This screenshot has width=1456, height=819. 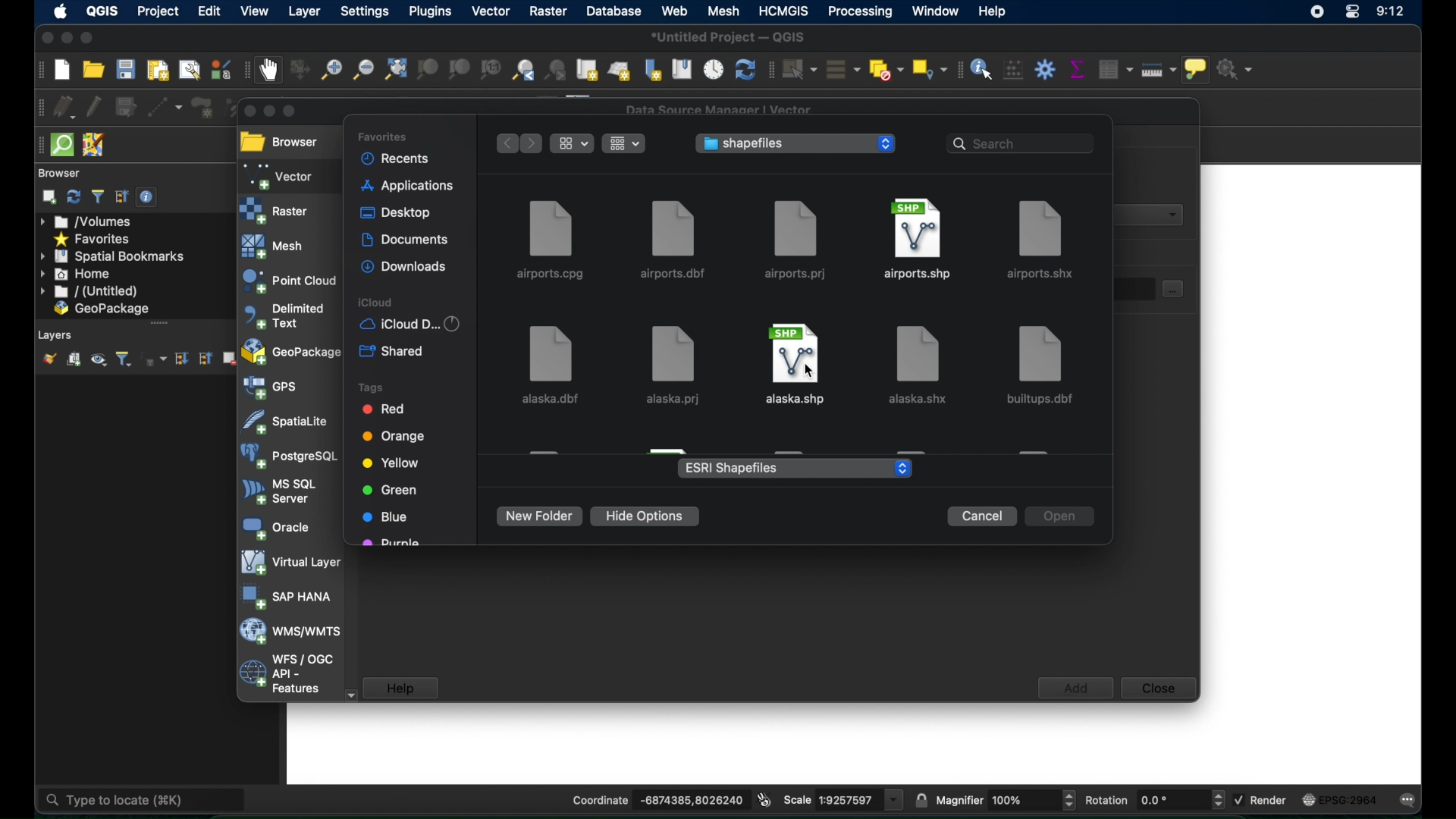 What do you see at coordinates (1034, 453) in the screenshot?
I see `obscured file` at bounding box center [1034, 453].